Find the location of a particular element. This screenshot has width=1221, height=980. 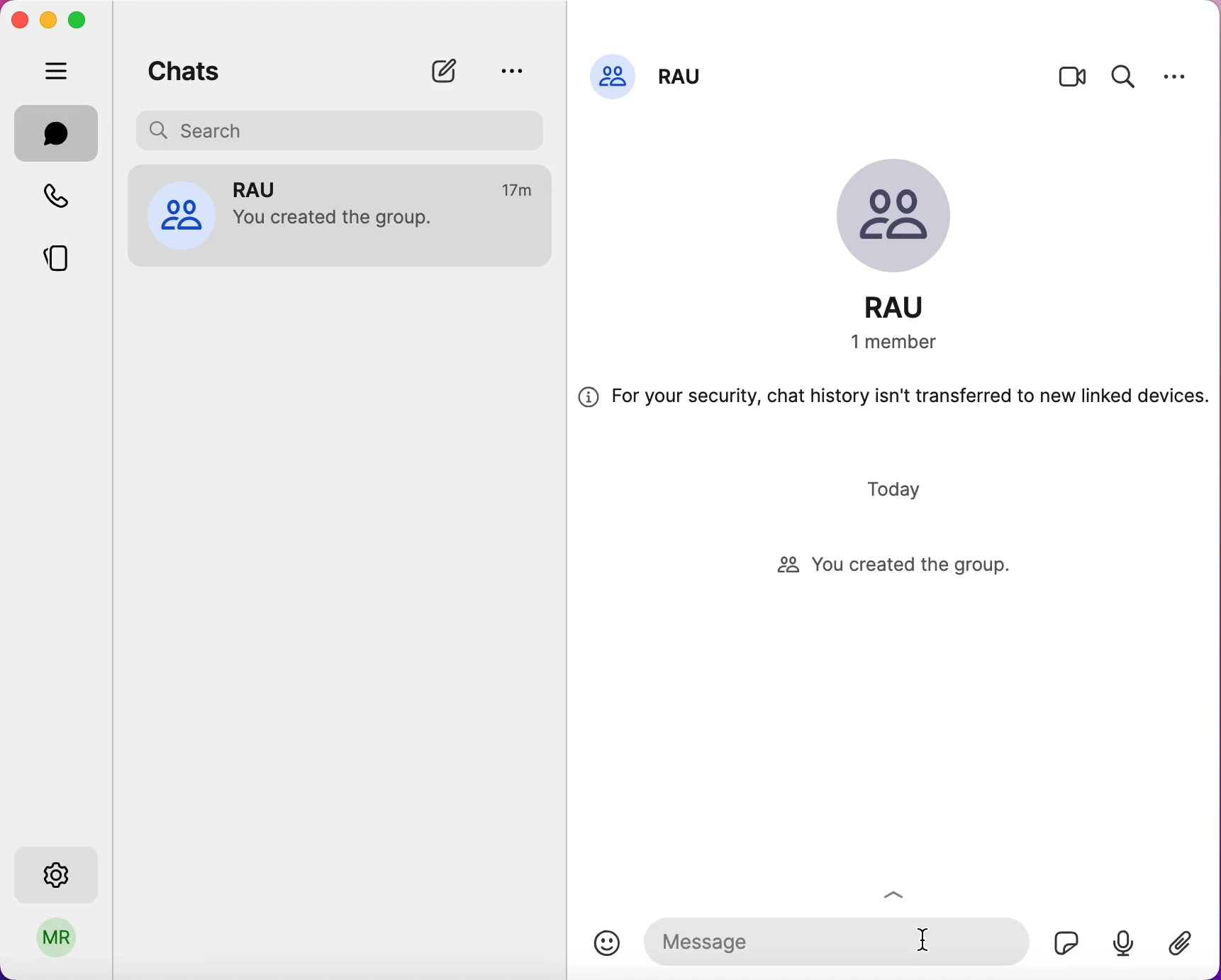

stories is located at coordinates (67, 253).